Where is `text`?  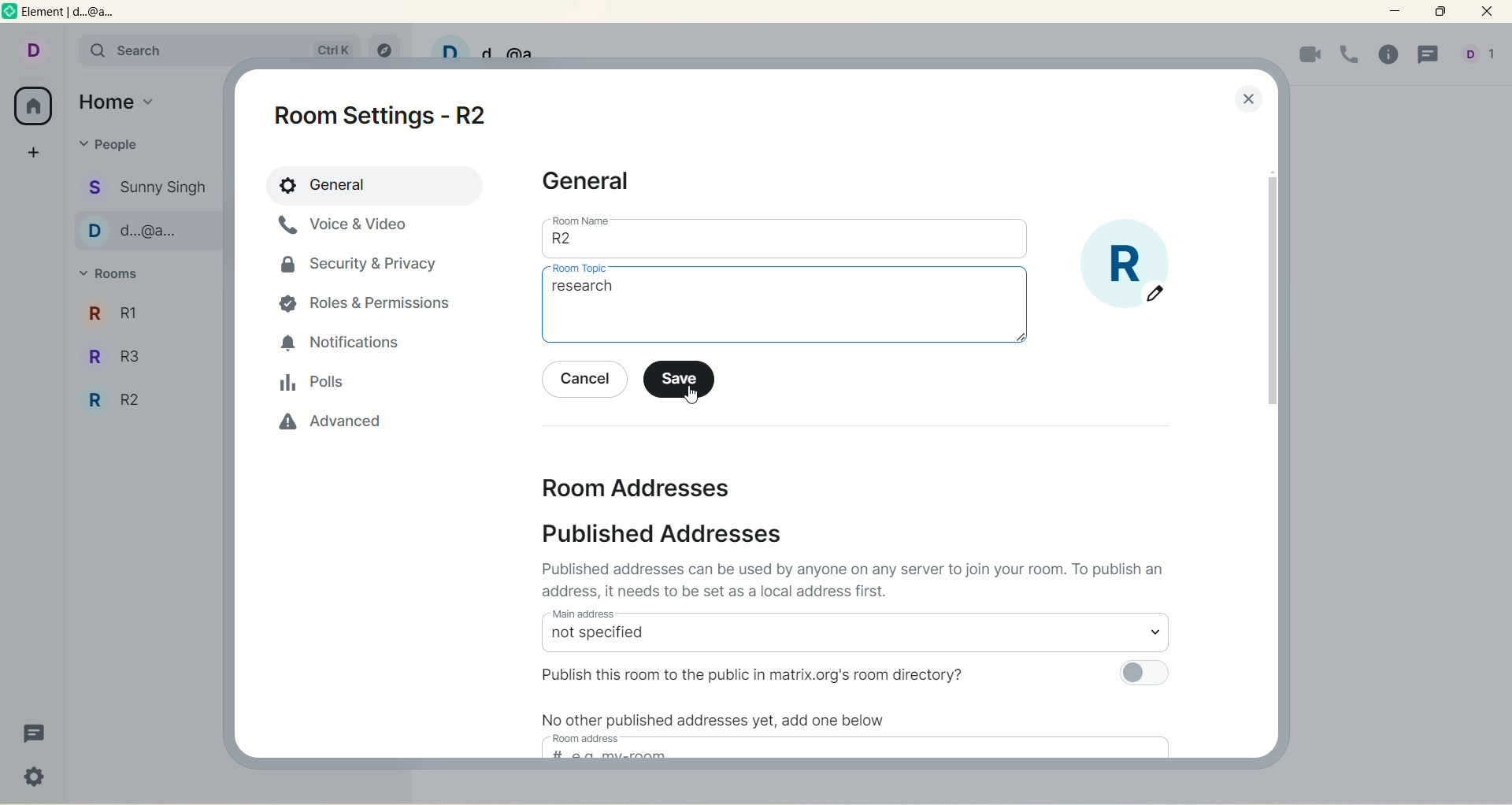 text is located at coordinates (721, 718).